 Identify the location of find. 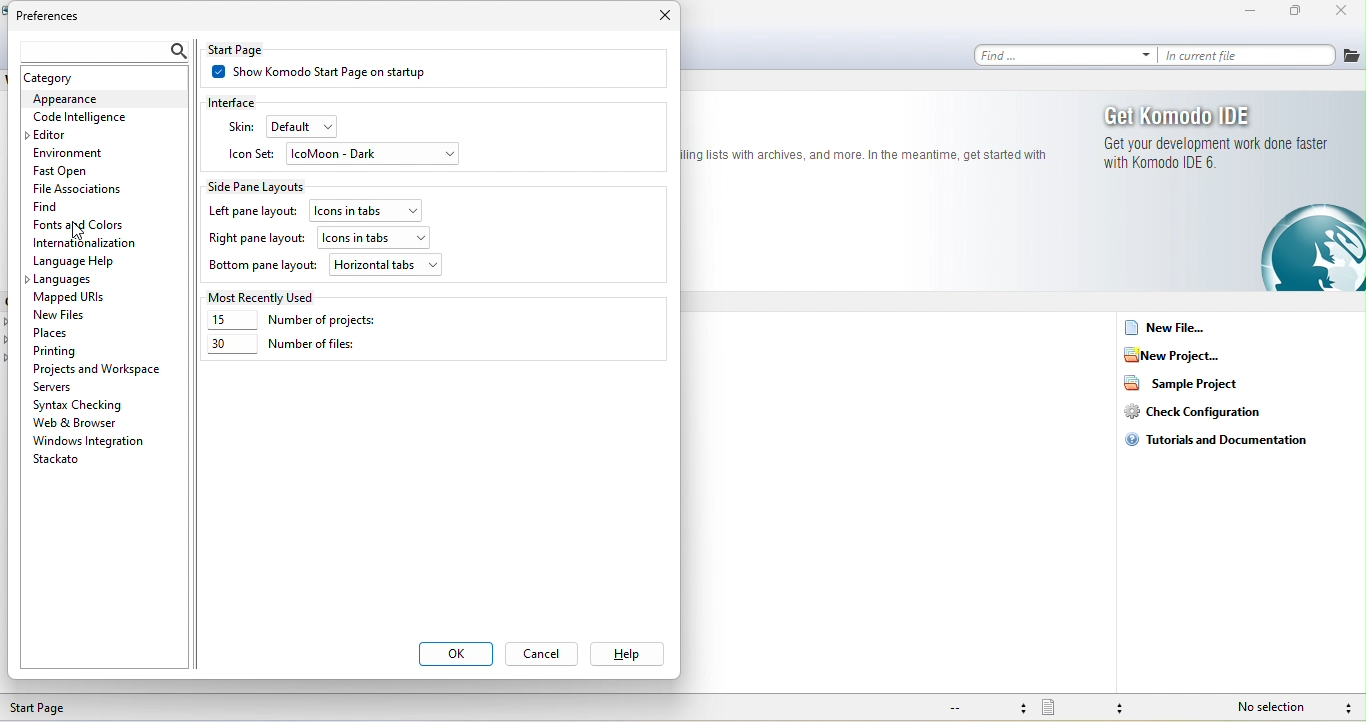
(1068, 56).